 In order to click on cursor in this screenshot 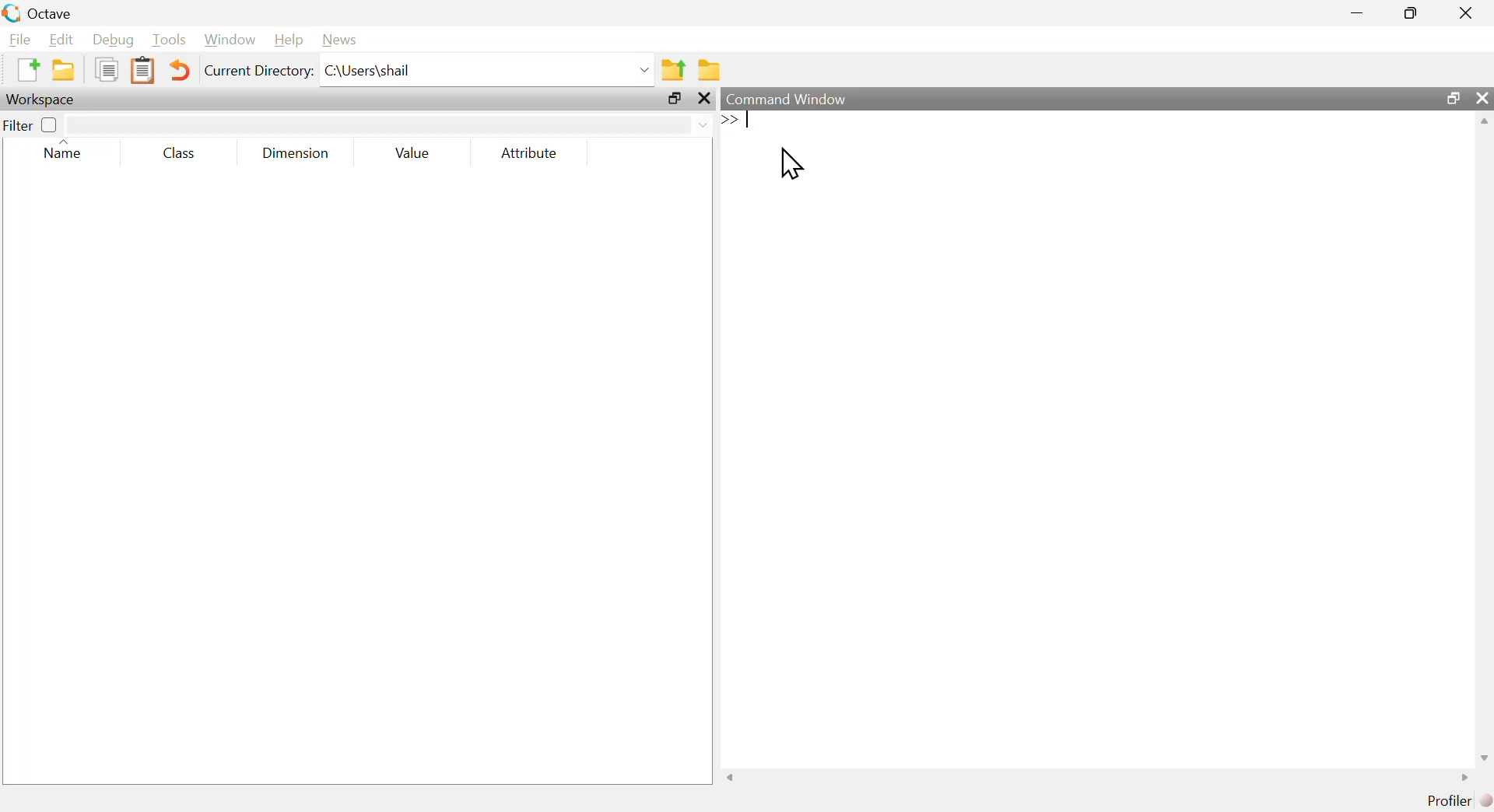, I will do `click(794, 164)`.